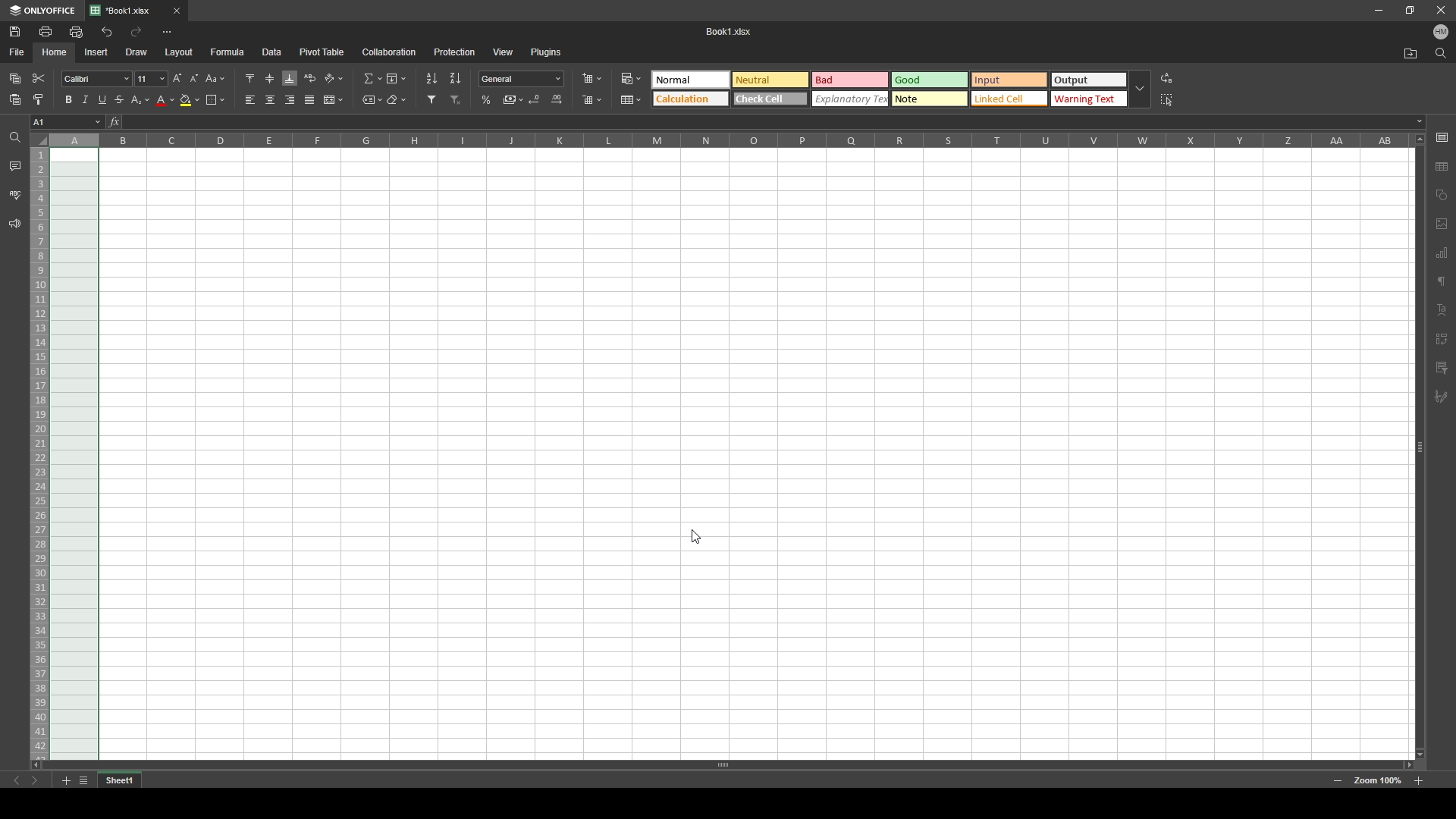 The image size is (1456, 819). I want to click on font size, so click(151, 79).